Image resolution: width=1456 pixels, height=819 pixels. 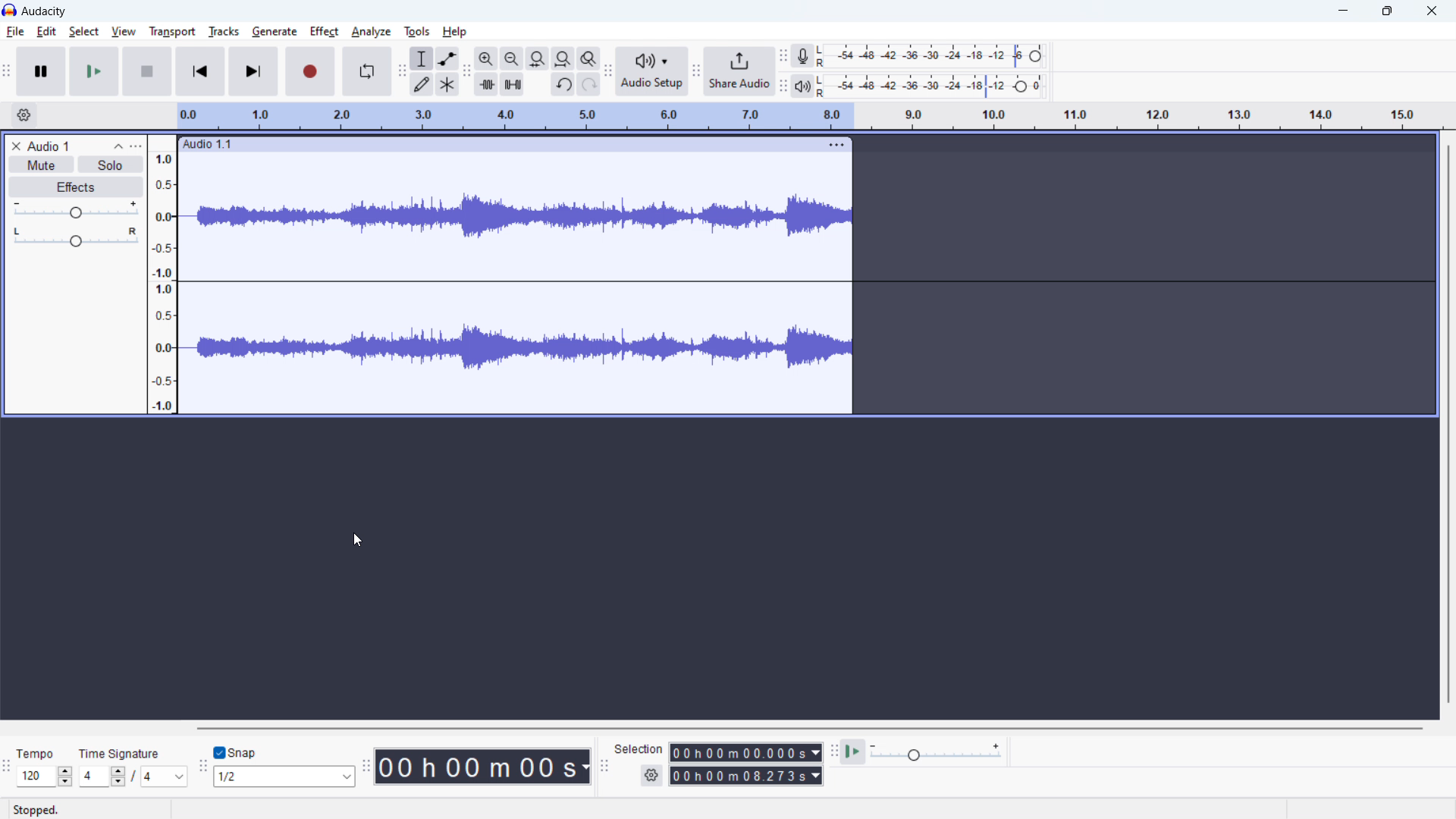 I want to click on stop, so click(x=148, y=71).